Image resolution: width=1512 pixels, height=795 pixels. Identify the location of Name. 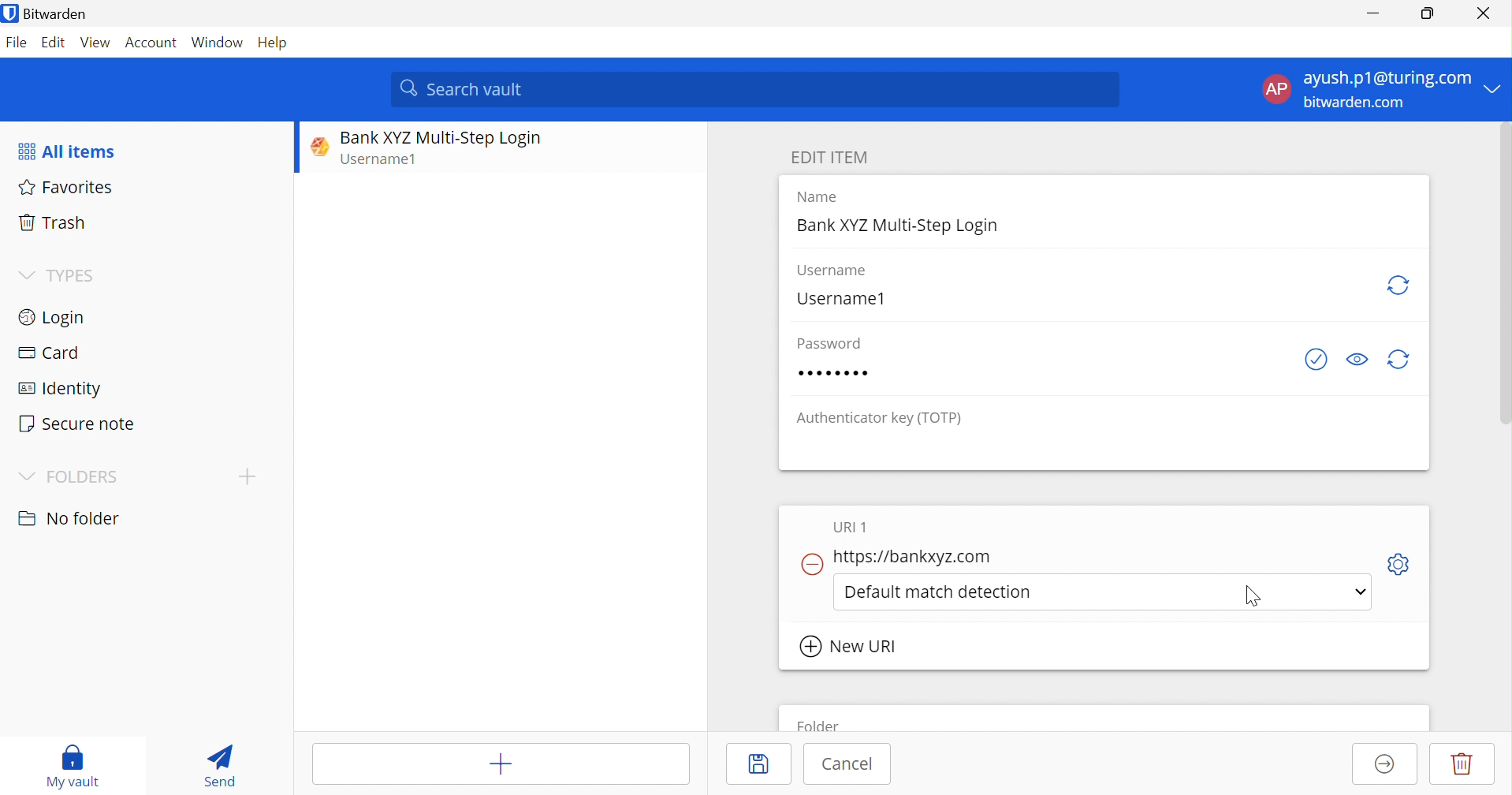
(821, 197).